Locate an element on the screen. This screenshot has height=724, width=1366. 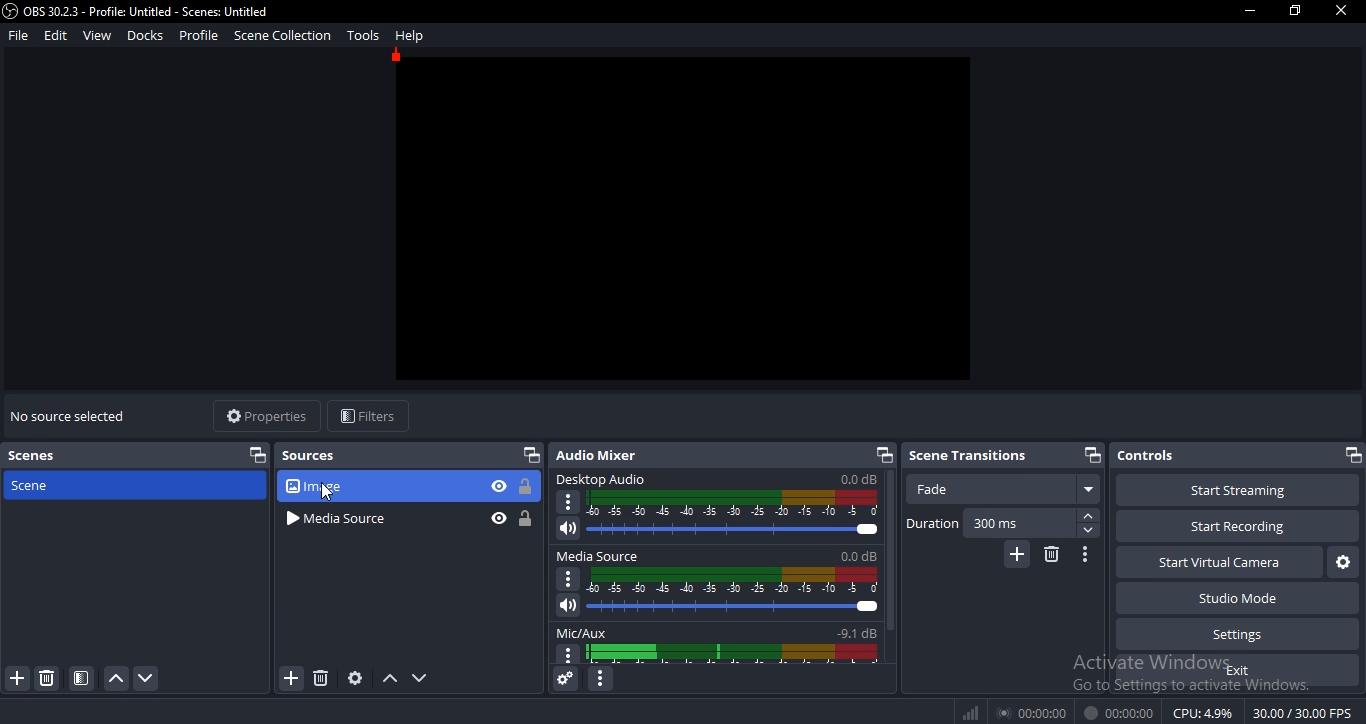
desktop audio is located at coordinates (718, 479).